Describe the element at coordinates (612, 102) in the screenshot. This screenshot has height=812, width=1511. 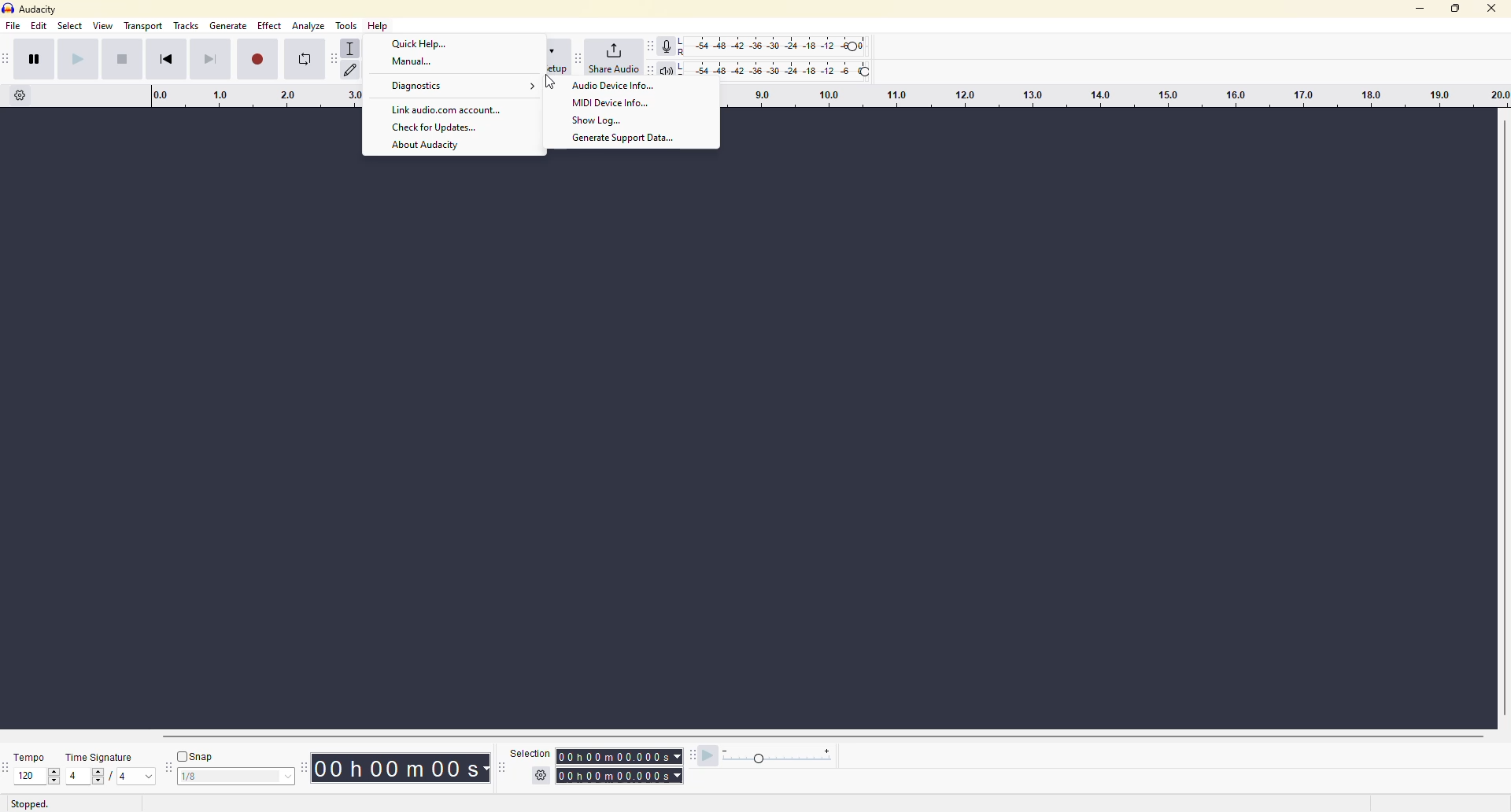
I see `MIDI Device Info...` at that location.